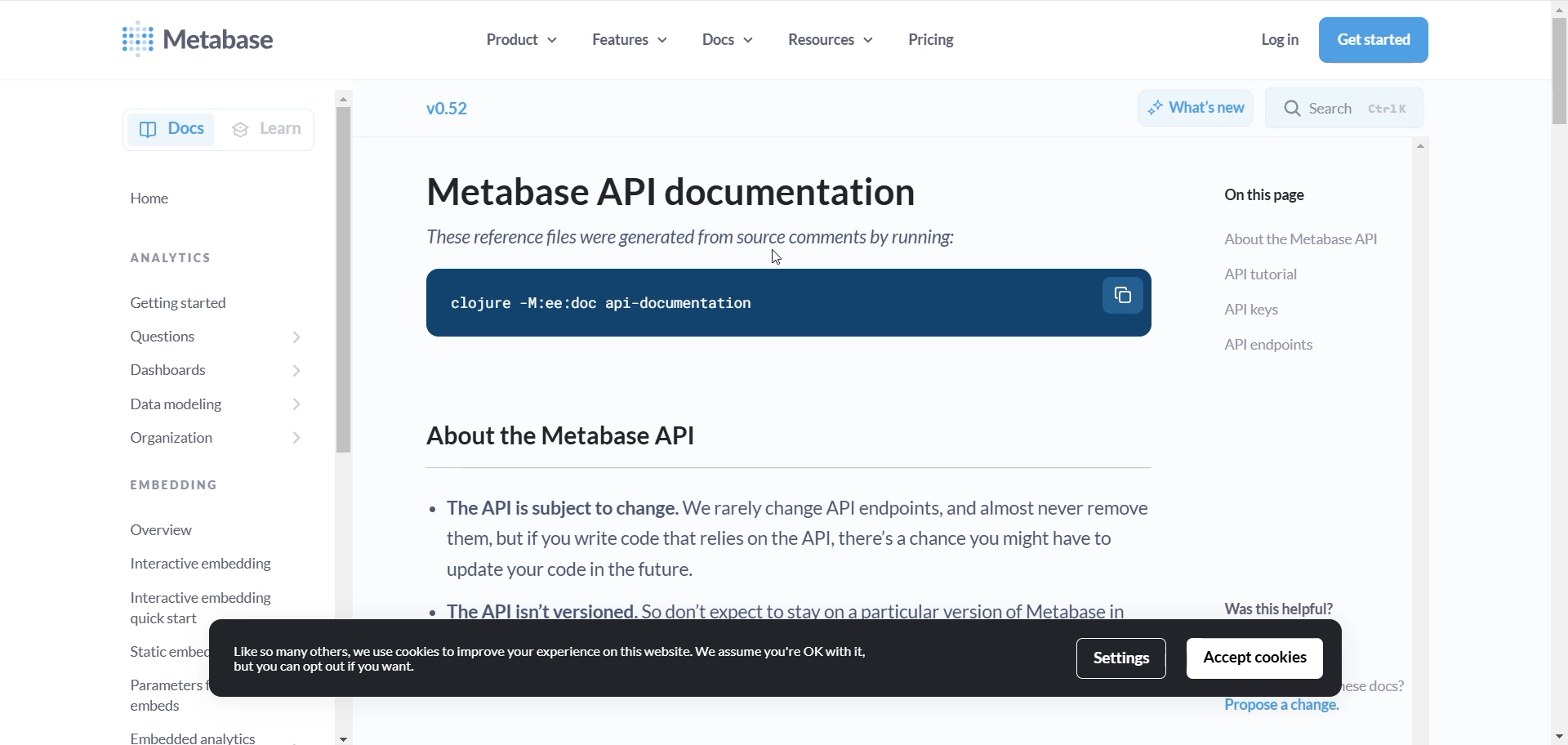  I want to click on move up, so click(345, 100).